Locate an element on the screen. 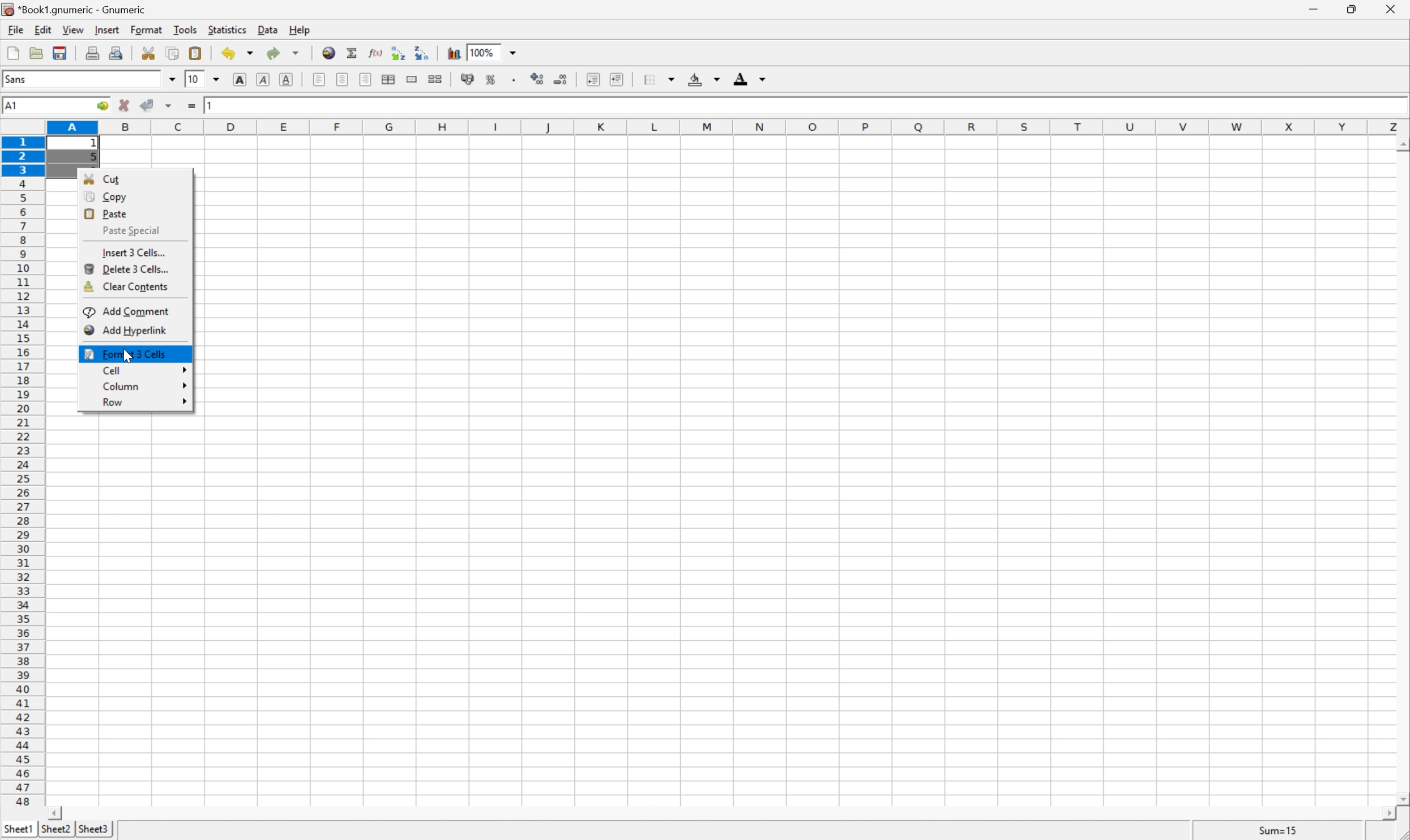  split merged ranges of cells is located at coordinates (437, 78).